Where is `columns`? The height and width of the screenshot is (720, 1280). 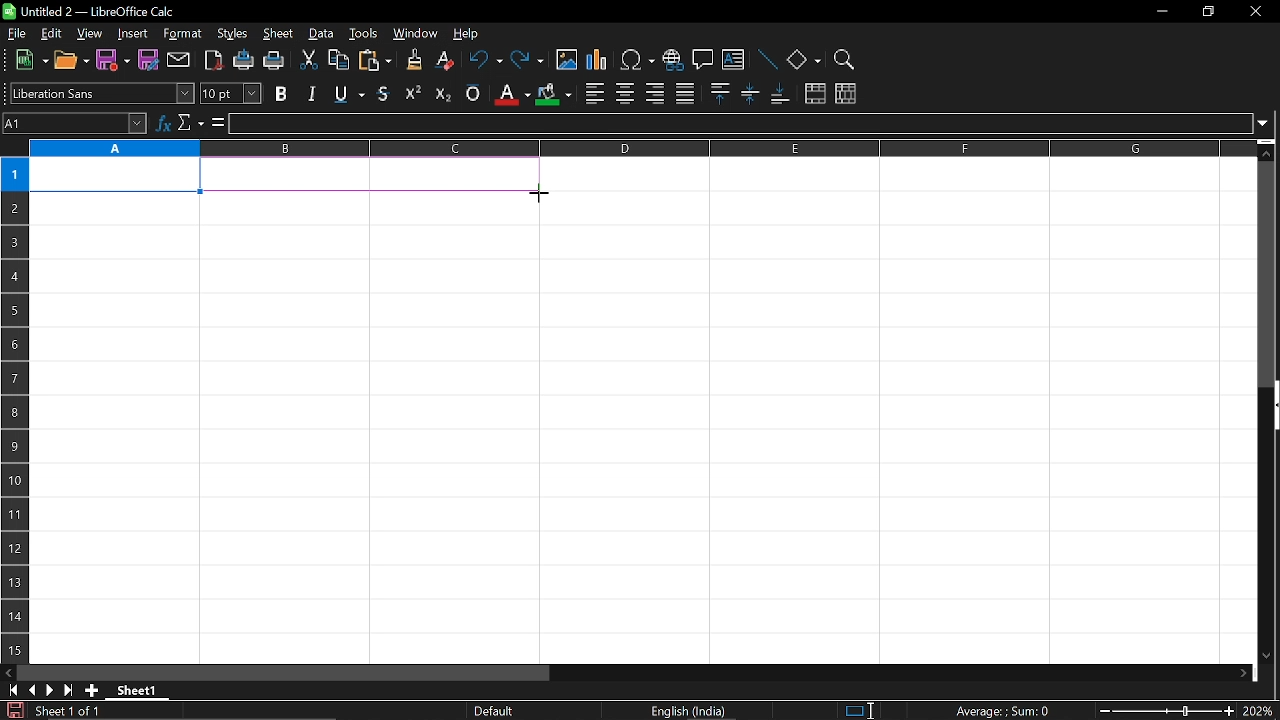
columns is located at coordinates (640, 149).